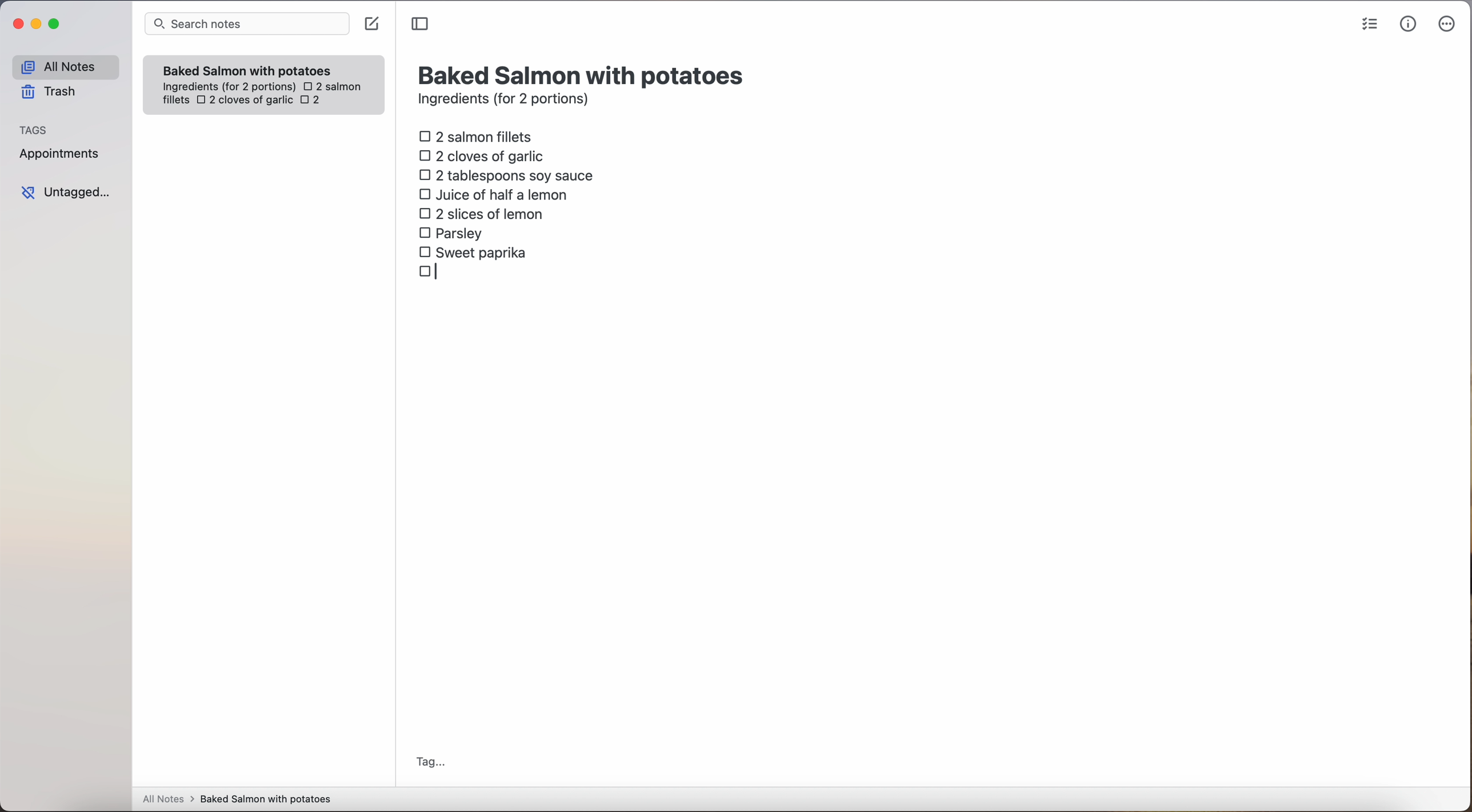  Describe the element at coordinates (61, 151) in the screenshot. I see `appointments tag` at that location.